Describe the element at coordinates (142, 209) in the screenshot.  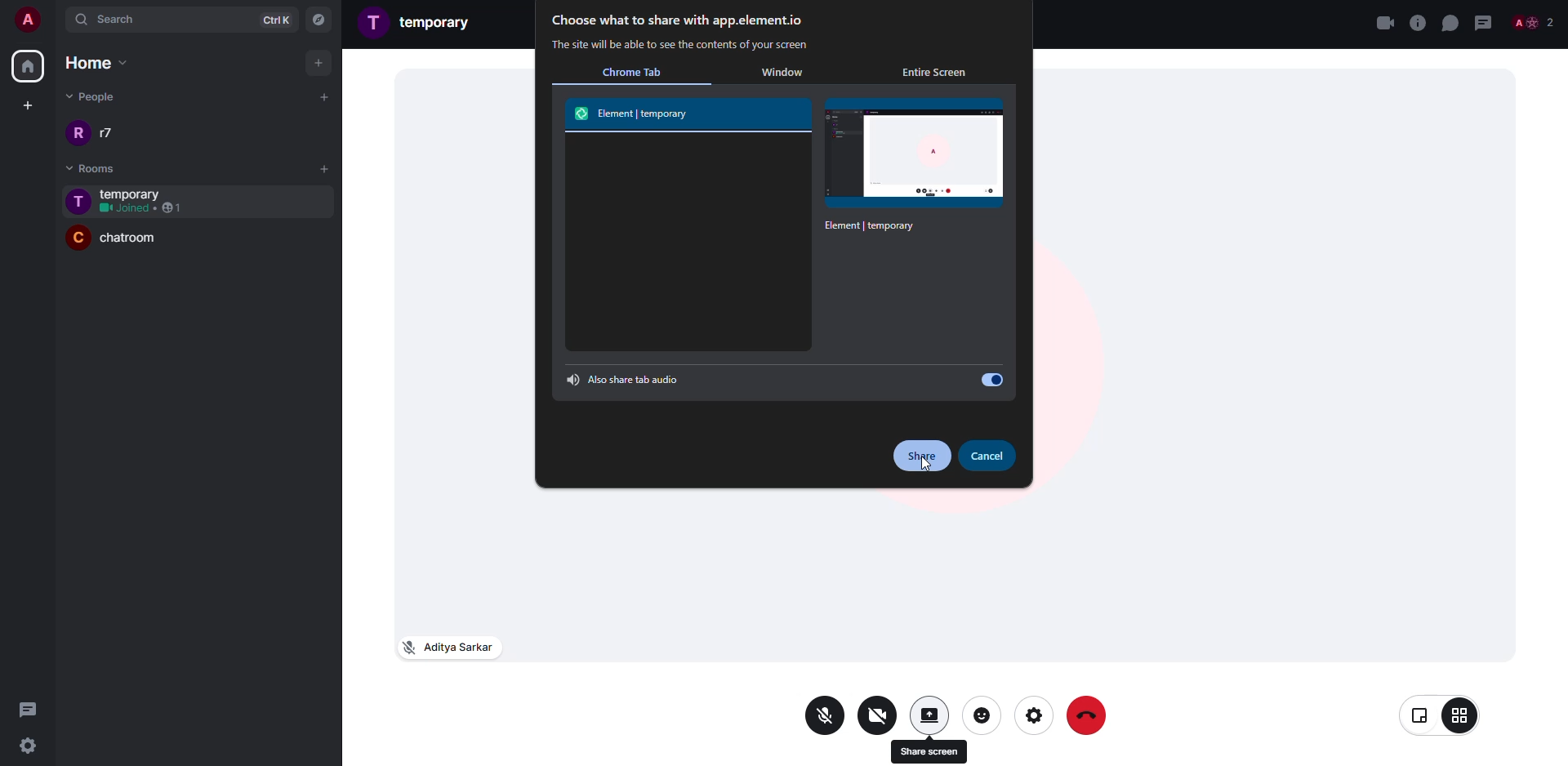
I see `1 joined` at that location.